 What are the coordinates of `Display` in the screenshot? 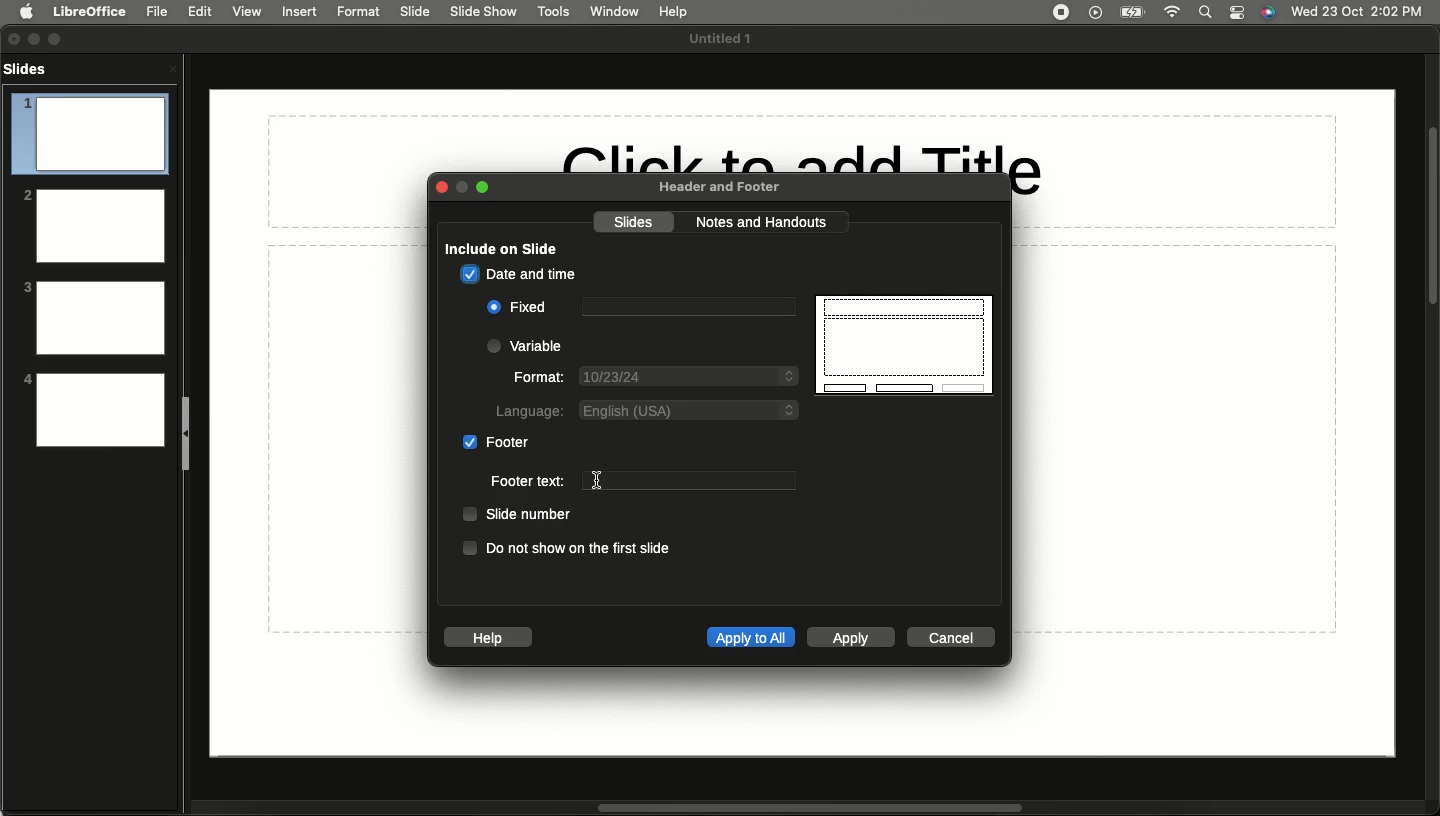 It's located at (905, 343).